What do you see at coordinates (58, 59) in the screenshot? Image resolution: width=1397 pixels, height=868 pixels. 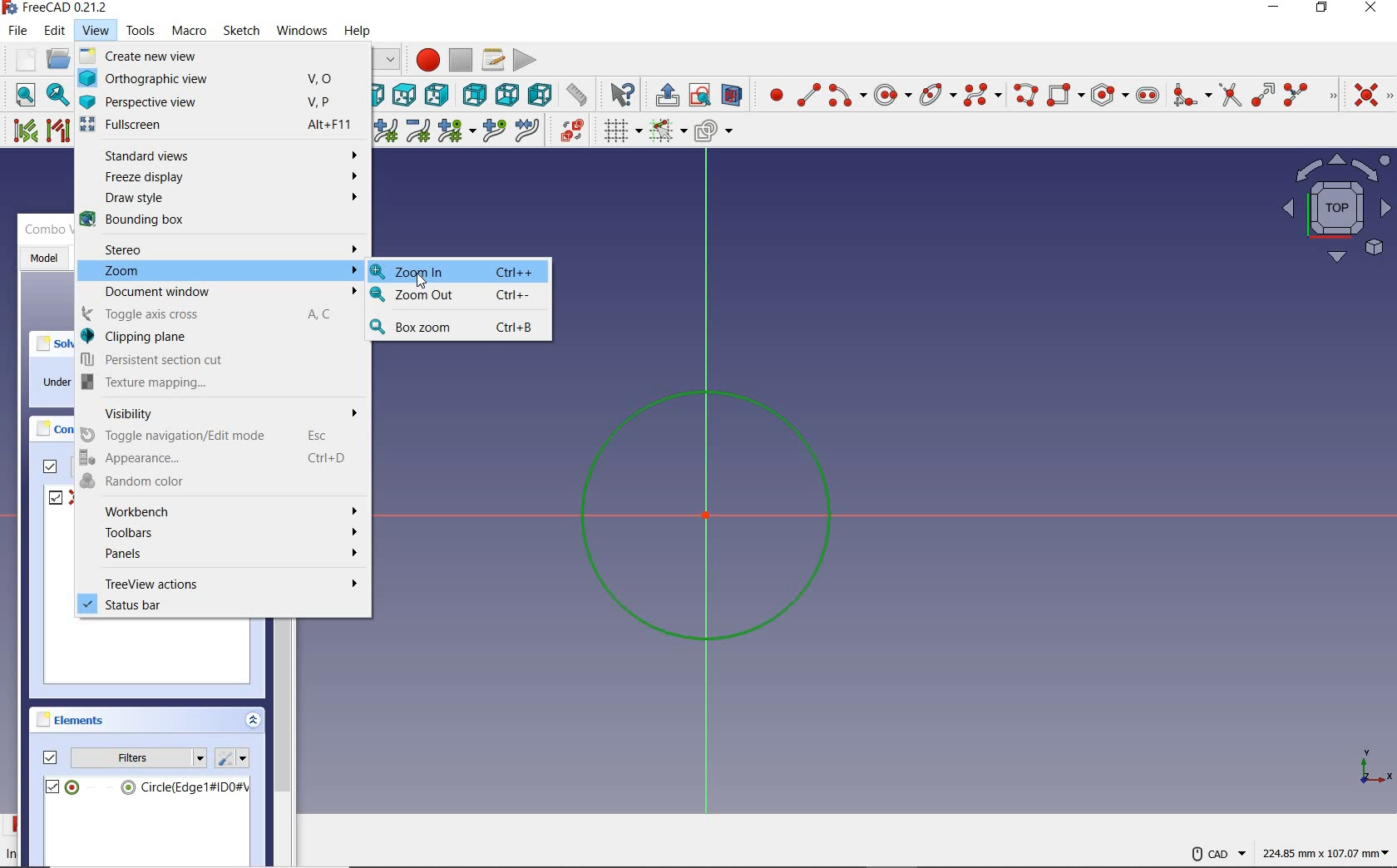 I see `open` at bounding box center [58, 59].